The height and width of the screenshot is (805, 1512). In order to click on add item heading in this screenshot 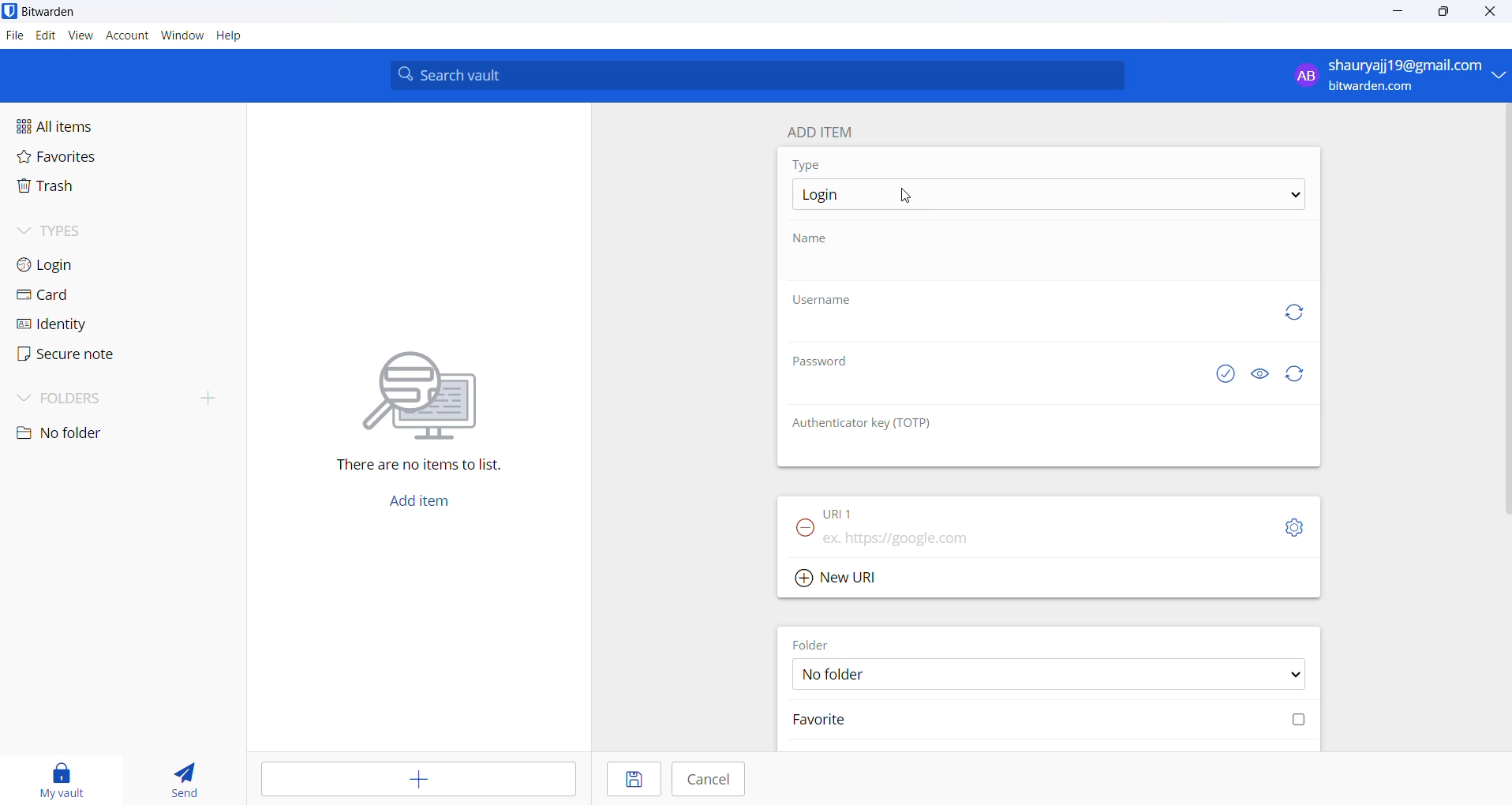, I will do `click(827, 133)`.